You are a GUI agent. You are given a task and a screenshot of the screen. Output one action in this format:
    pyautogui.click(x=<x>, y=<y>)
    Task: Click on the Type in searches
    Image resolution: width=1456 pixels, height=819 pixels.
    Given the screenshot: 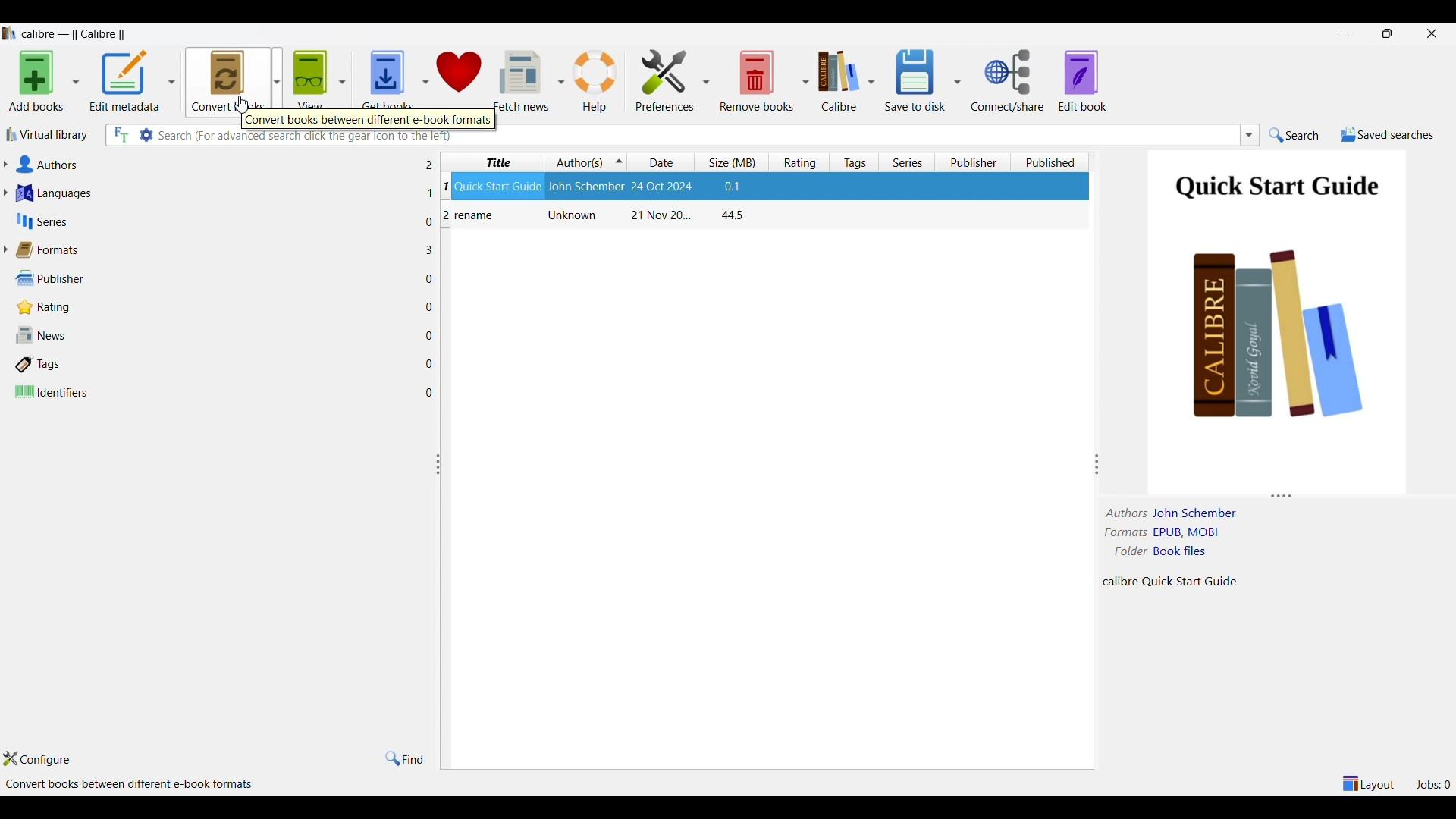 What is the action you would take?
    pyautogui.click(x=871, y=136)
    